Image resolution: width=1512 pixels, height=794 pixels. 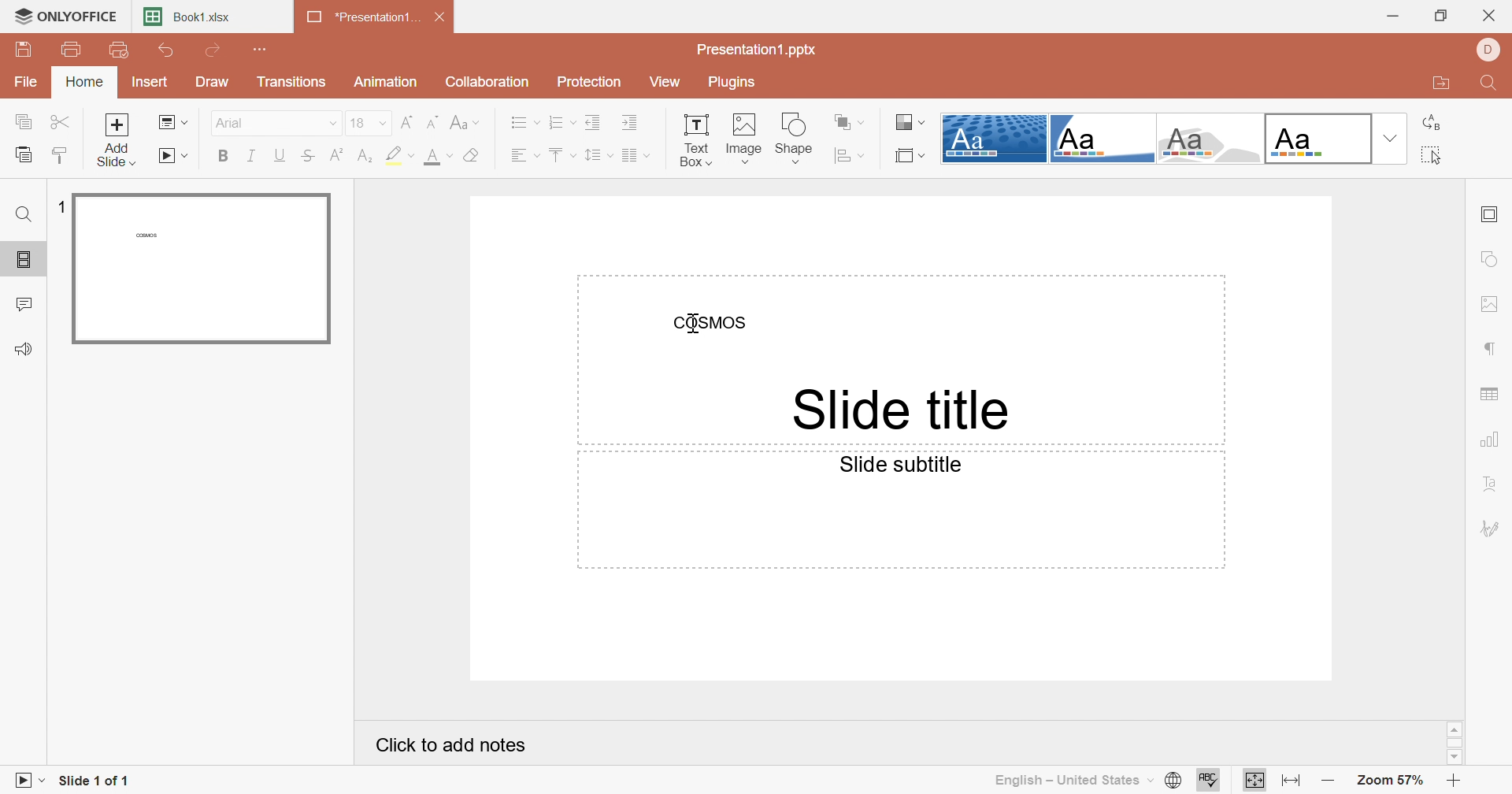 What do you see at coordinates (360, 17) in the screenshot?
I see `*Presentation1...` at bounding box center [360, 17].